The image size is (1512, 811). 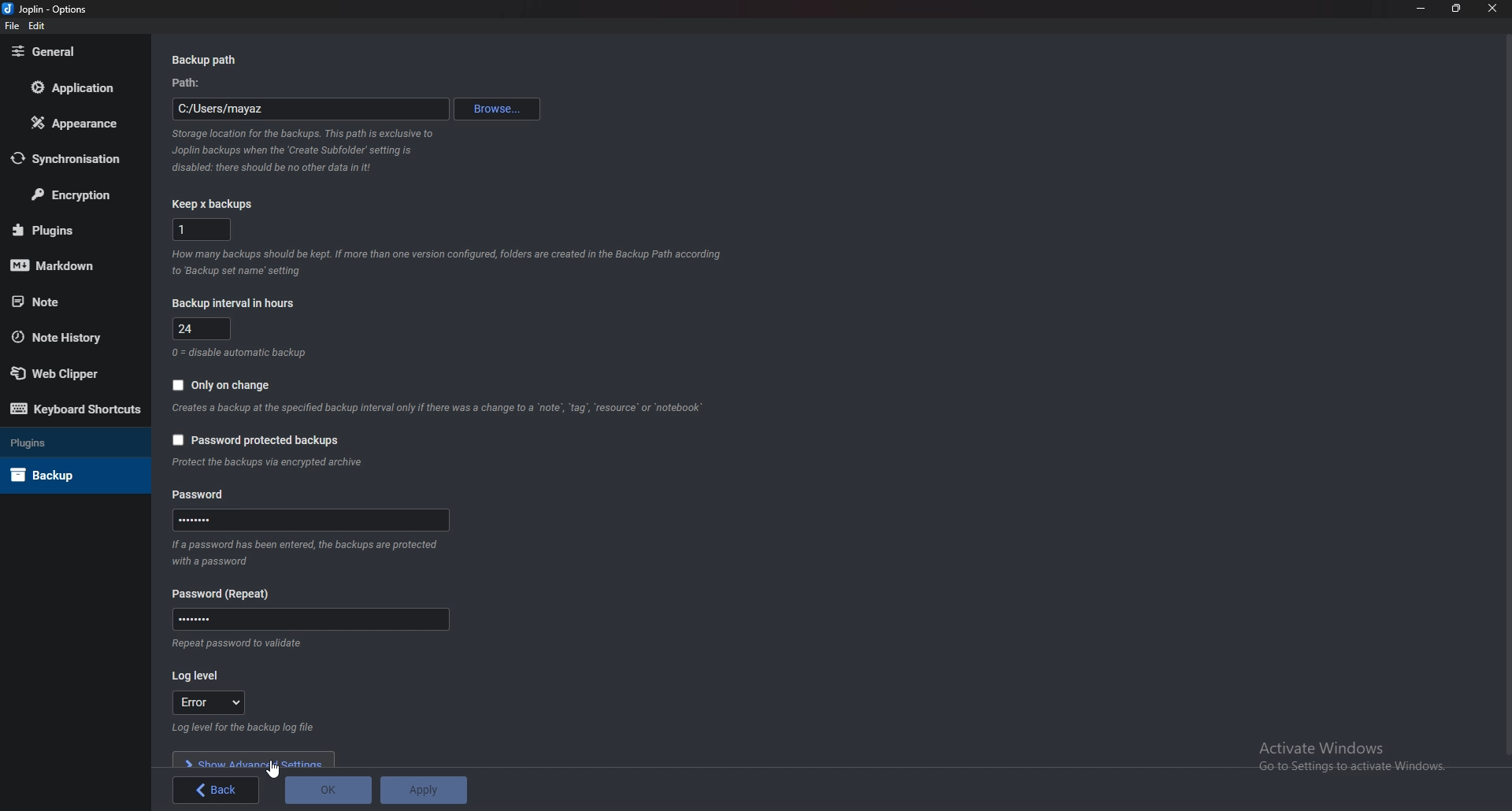 What do you see at coordinates (235, 304) in the screenshot?
I see `Backup interval in hours` at bounding box center [235, 304].